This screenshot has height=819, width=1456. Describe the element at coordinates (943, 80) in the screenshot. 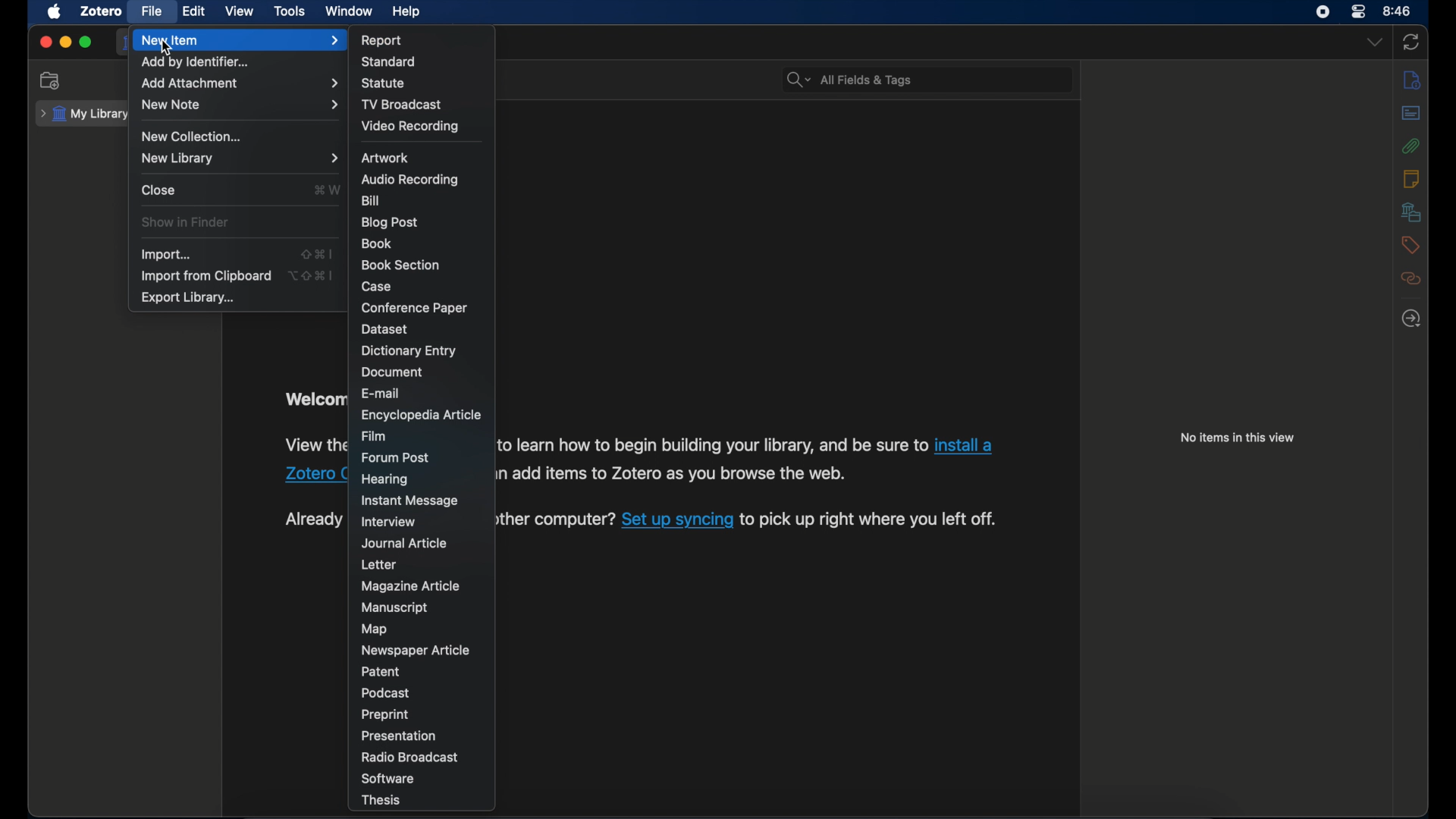

I see `search bar input` at that location.